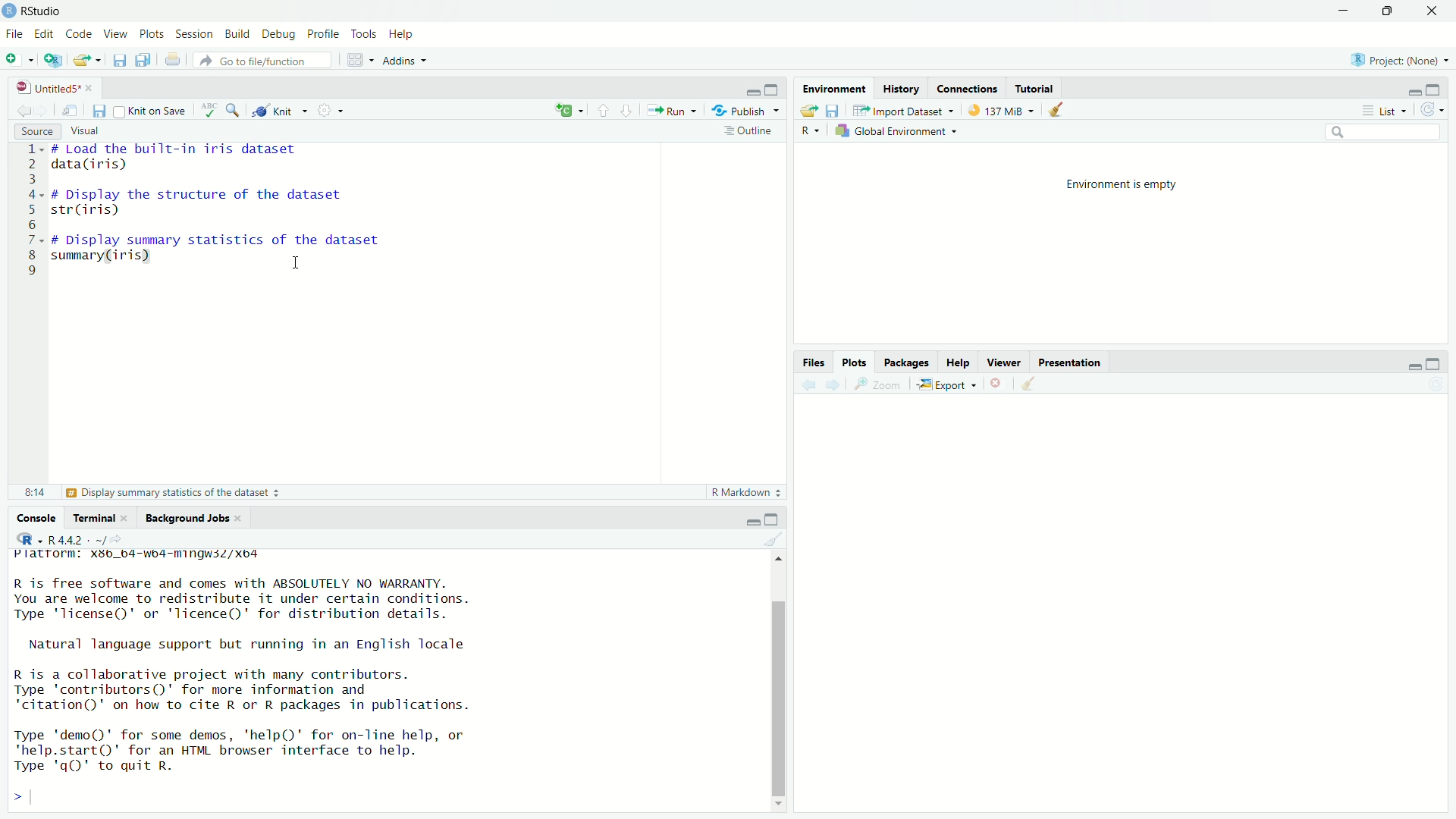 This screenshot has width=1456, height=819. Describe the element at coordinates (1031, 383) in the screenshot. I see `Clear` at that location.